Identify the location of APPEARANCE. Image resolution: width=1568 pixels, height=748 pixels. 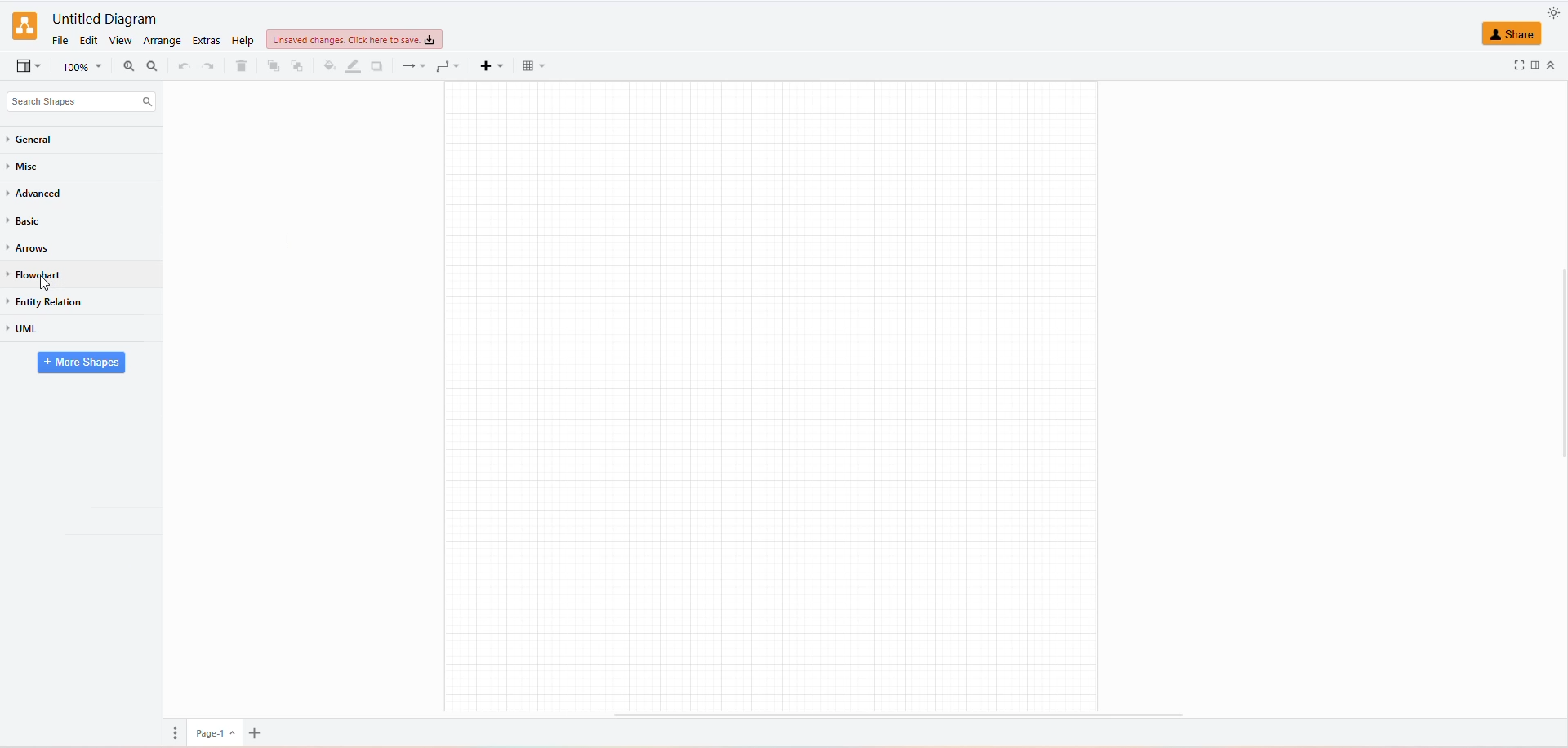
(1552, 11).